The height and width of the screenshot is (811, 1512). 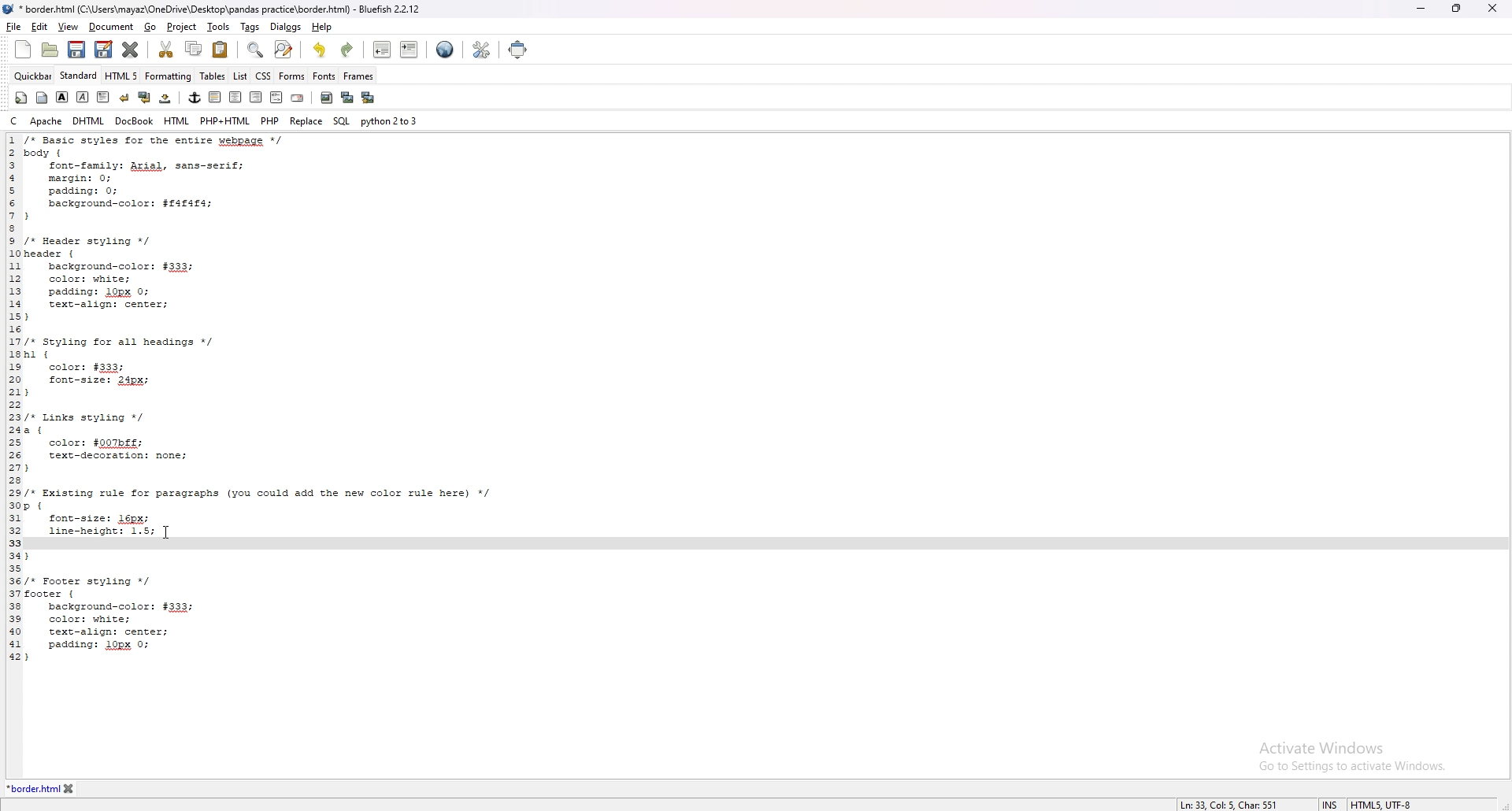 I want to click on *border.html (C:\Users\mayaz\OneDrive\Desktop\pandas practice\border.html) - Bluefish 2.2.12, so click(x=226, y=9).